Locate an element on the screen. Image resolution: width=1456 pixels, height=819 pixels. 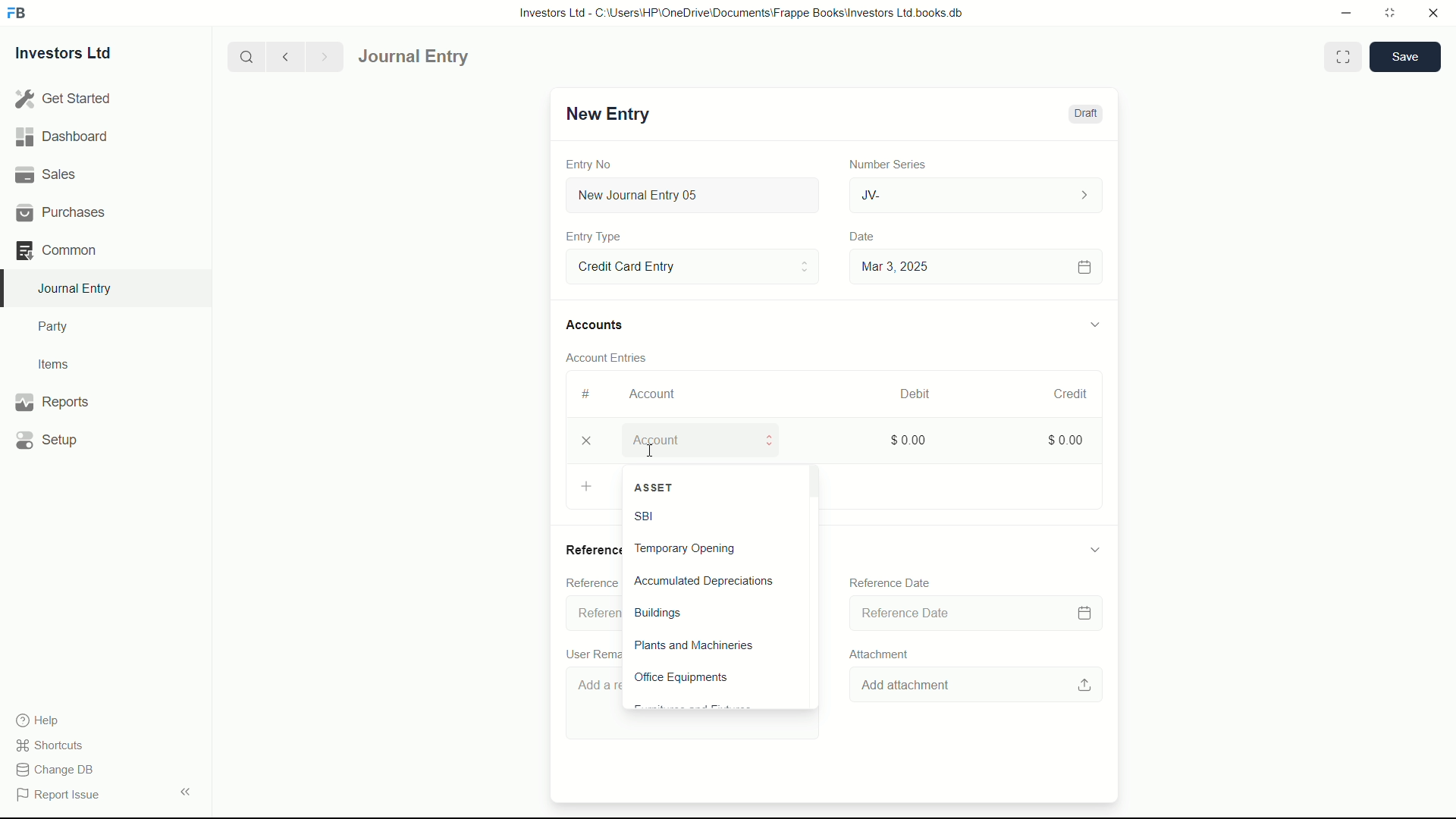
JV is located at coordinates (978, 193).